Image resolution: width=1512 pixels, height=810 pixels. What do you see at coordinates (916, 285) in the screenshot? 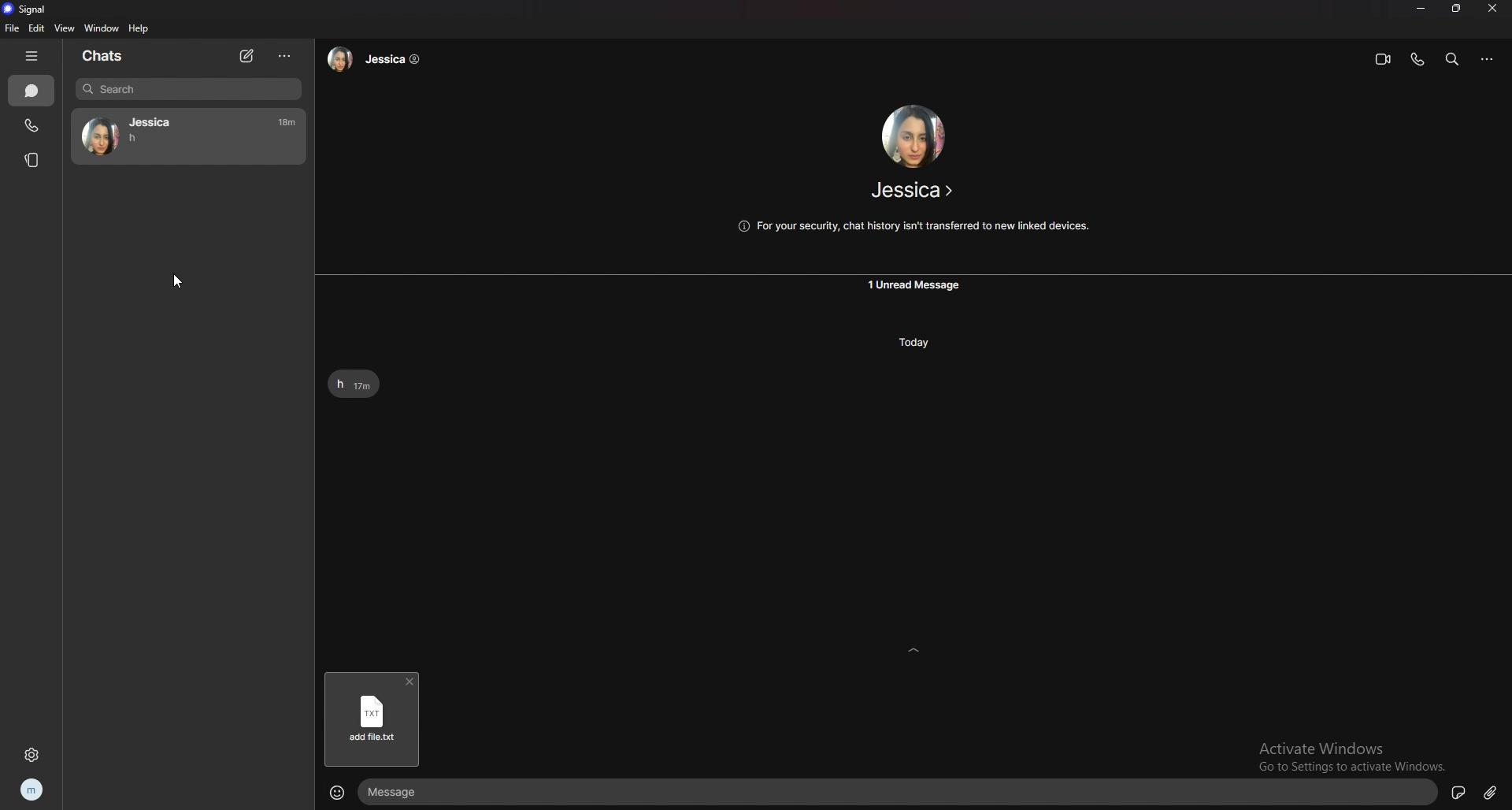
I see `unread message` at bounding box center [916, 285].